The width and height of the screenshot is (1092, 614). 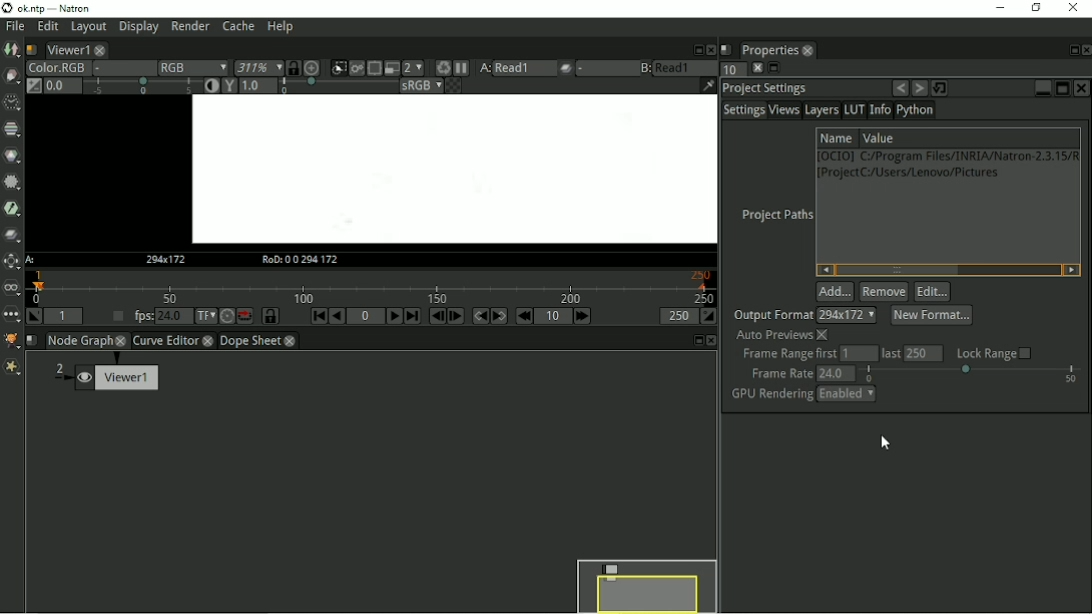 What do you see at coordinates (293, 68) in the screenshot?
I see `Synchronize` at bounding box center [293, 68].